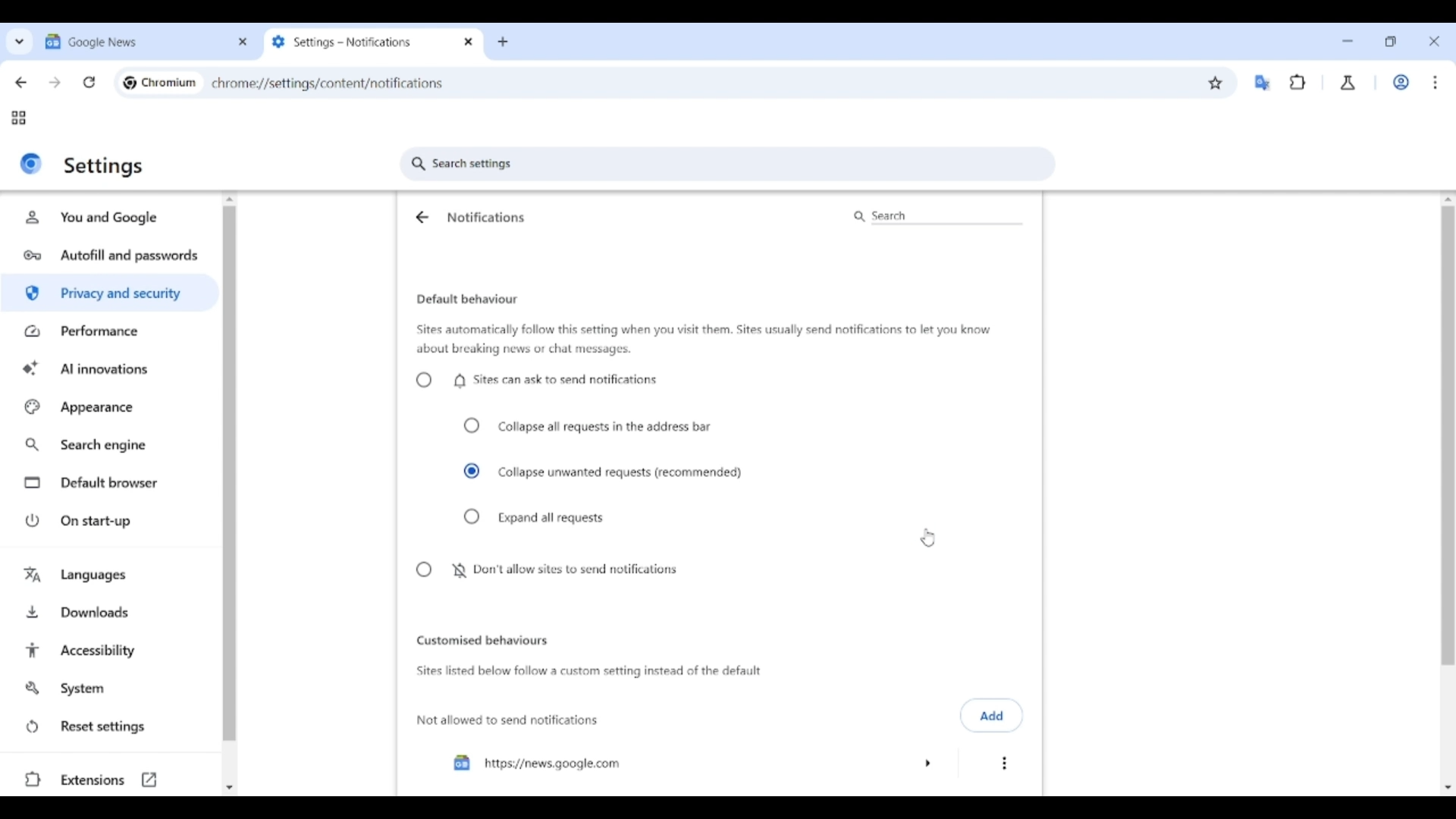 This screenshot has width=1456, height=819. Describe the element at coordinates (1448, 361) in the screenshot. I see `Vertical slide bar` at that location.